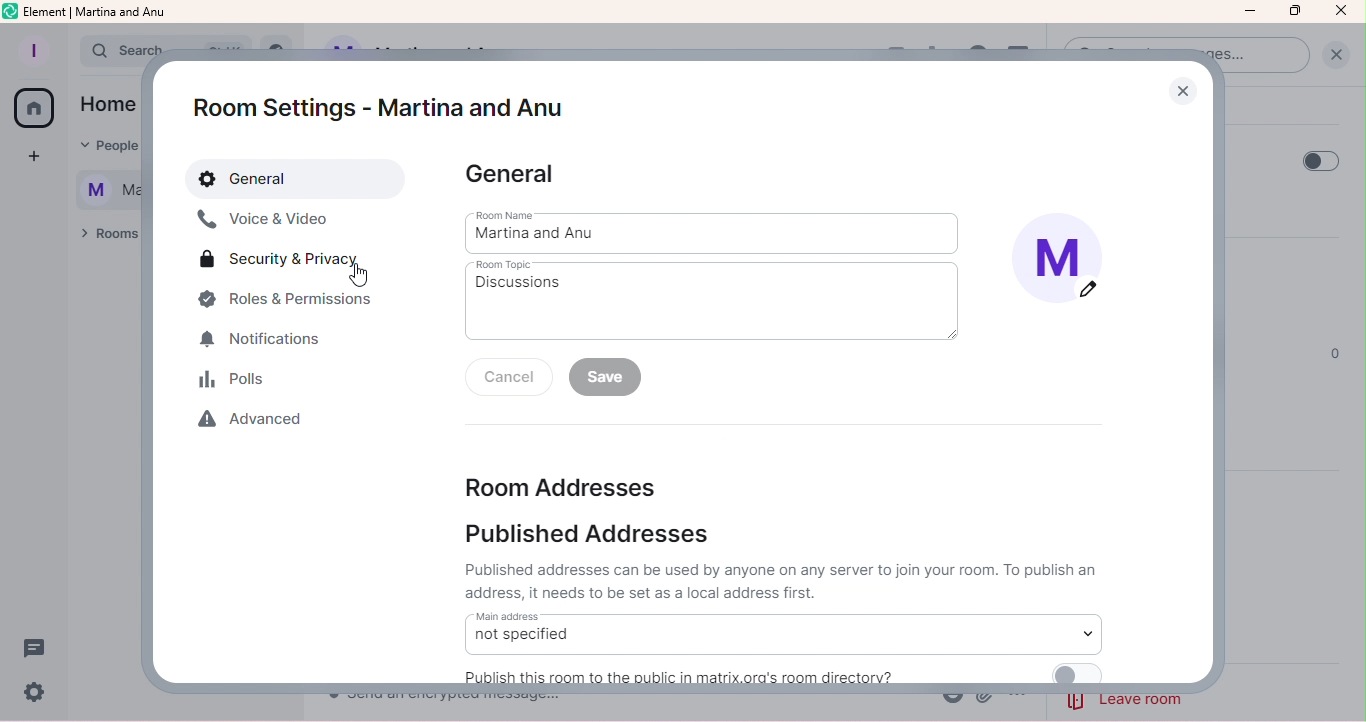 The height and width of the screenshot is (722, 1366). What do you see at coordinates (373, 107) in the screenshot?
I see `Room settings - Martina and Anu` at bounding box center [373, 107].